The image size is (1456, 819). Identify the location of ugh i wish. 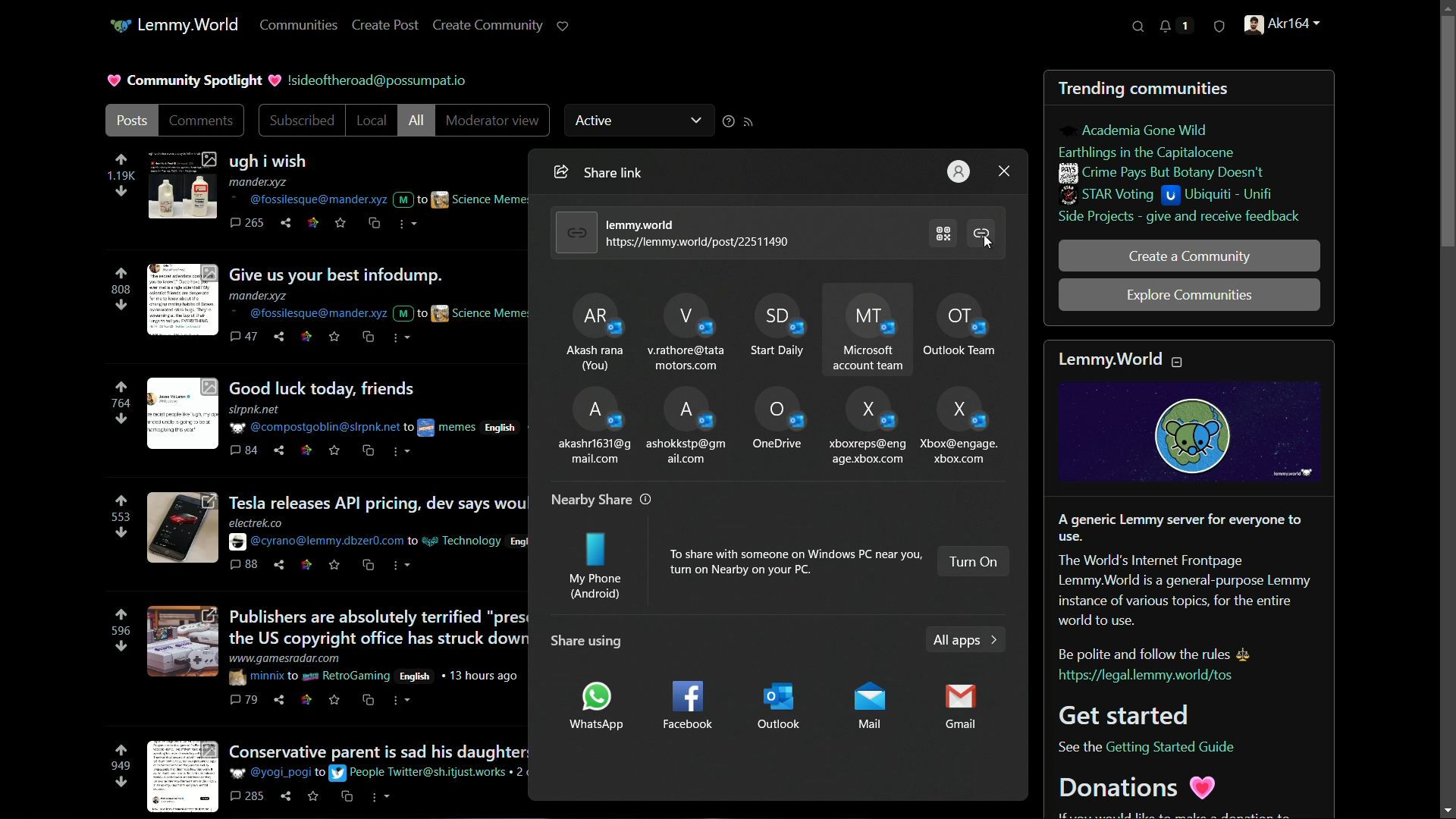
(281, 162).